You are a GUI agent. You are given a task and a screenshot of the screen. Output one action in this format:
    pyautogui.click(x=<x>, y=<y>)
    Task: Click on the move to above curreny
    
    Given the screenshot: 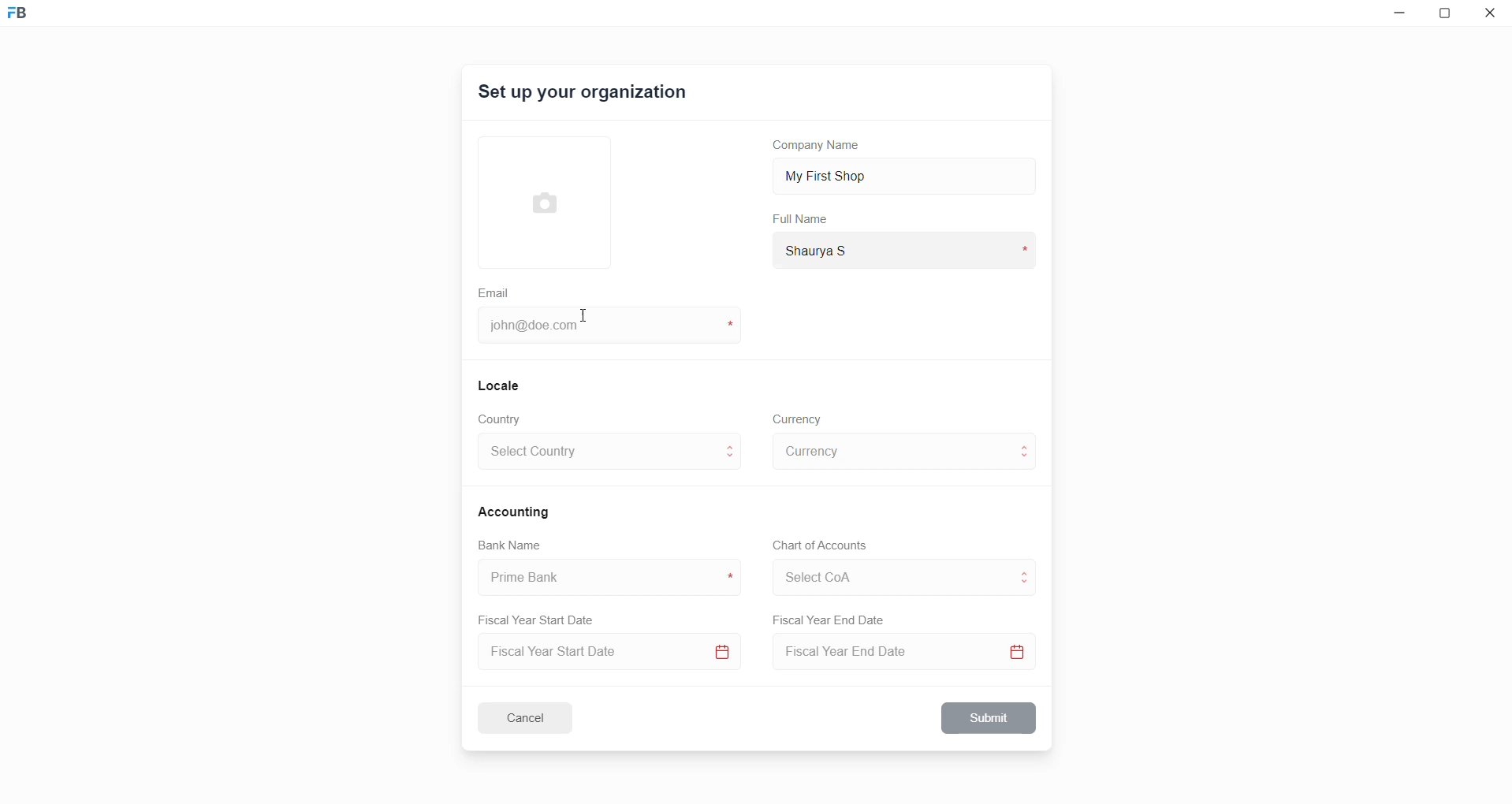 What is the action you would take?
    pyautogui.click(x=1028, y=445)
    